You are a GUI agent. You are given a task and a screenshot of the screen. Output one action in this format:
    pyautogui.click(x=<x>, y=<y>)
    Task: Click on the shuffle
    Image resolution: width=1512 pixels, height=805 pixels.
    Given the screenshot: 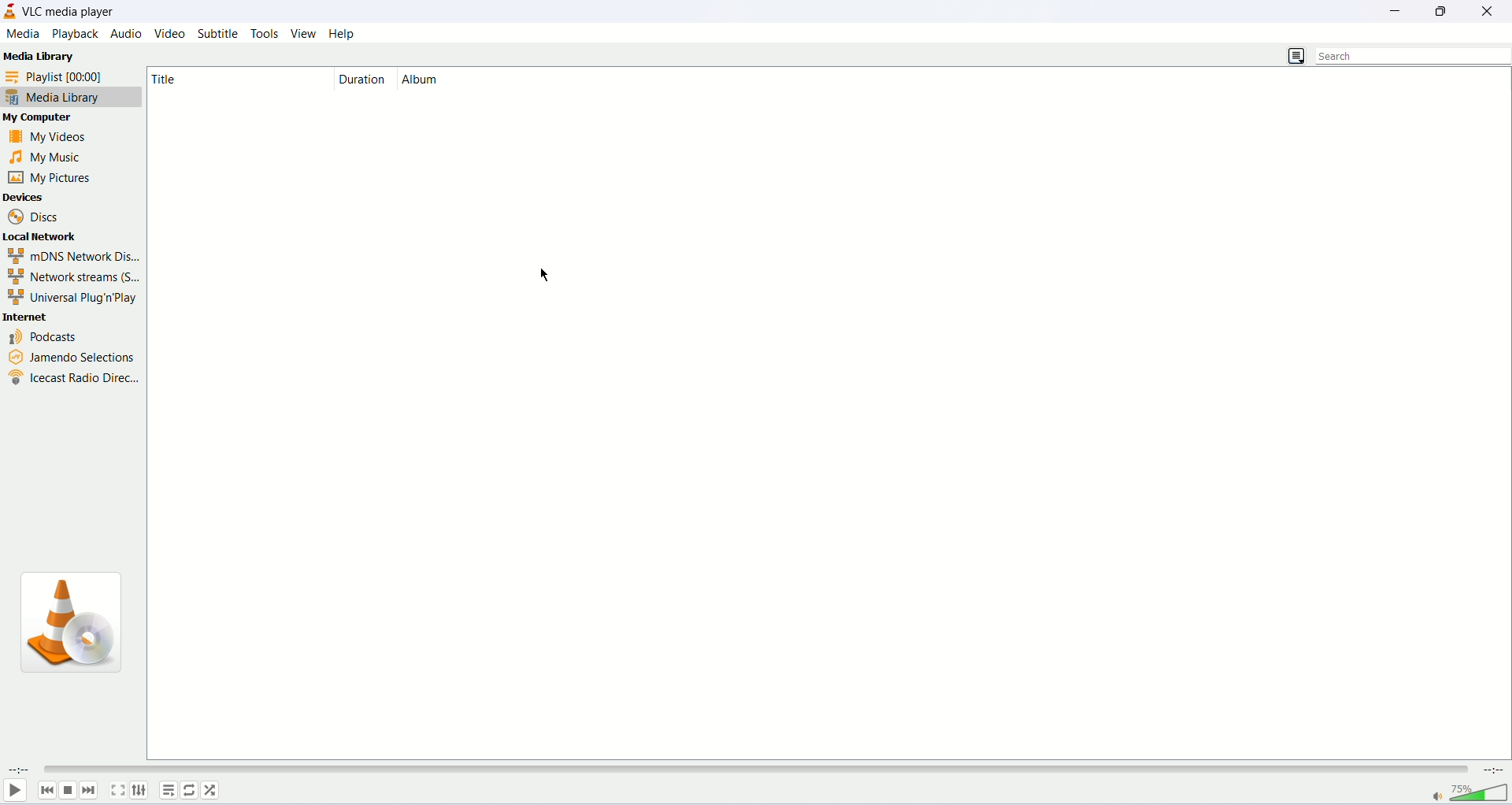 What is the action you would take?
    pyautogui.click(x=211, y=790)
    